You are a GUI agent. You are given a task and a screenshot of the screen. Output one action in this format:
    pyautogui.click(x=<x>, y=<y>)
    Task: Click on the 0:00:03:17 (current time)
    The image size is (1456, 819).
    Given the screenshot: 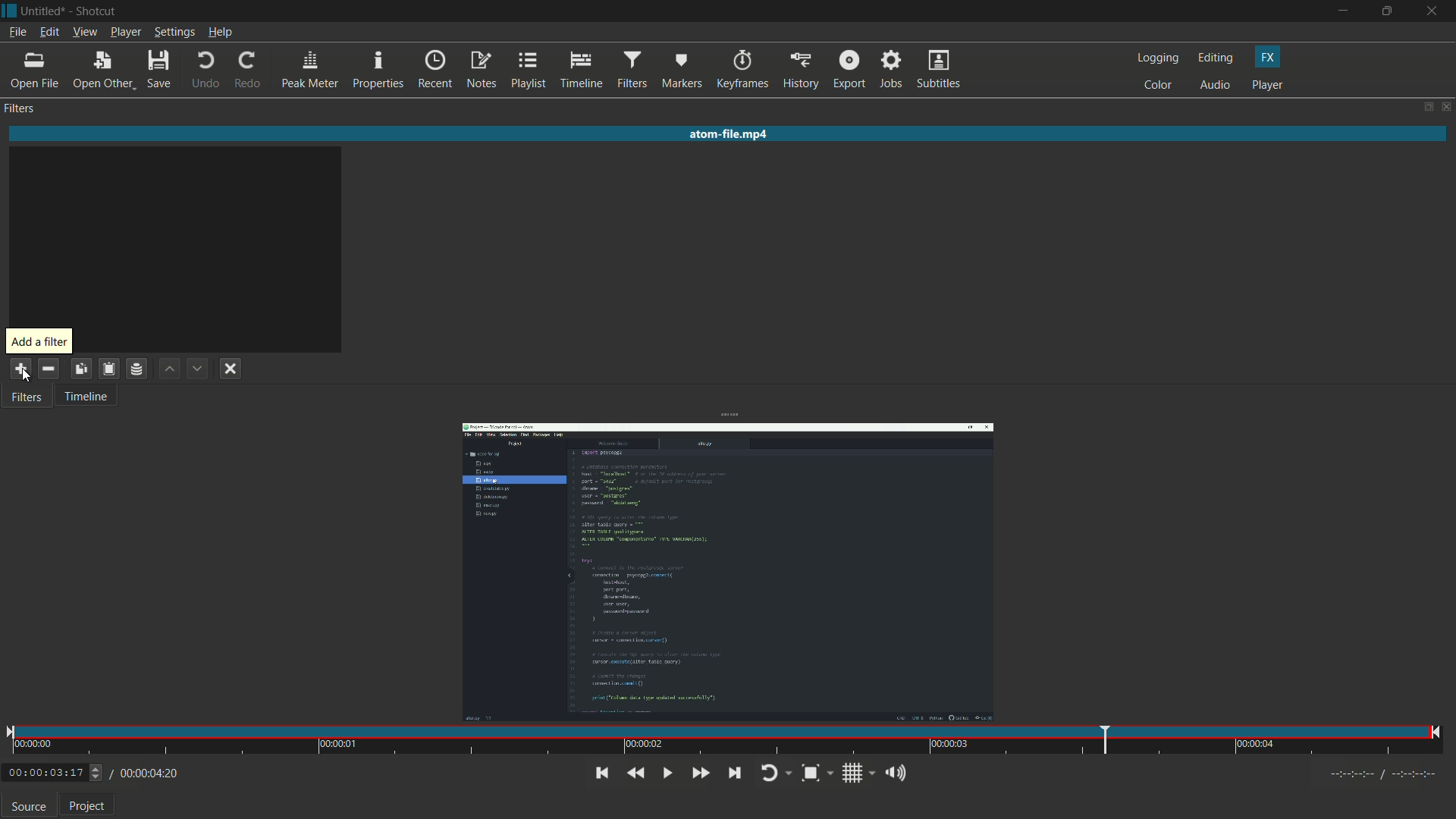 What is the action you would take?
    pyautogui.click(x=53, y=770)
    